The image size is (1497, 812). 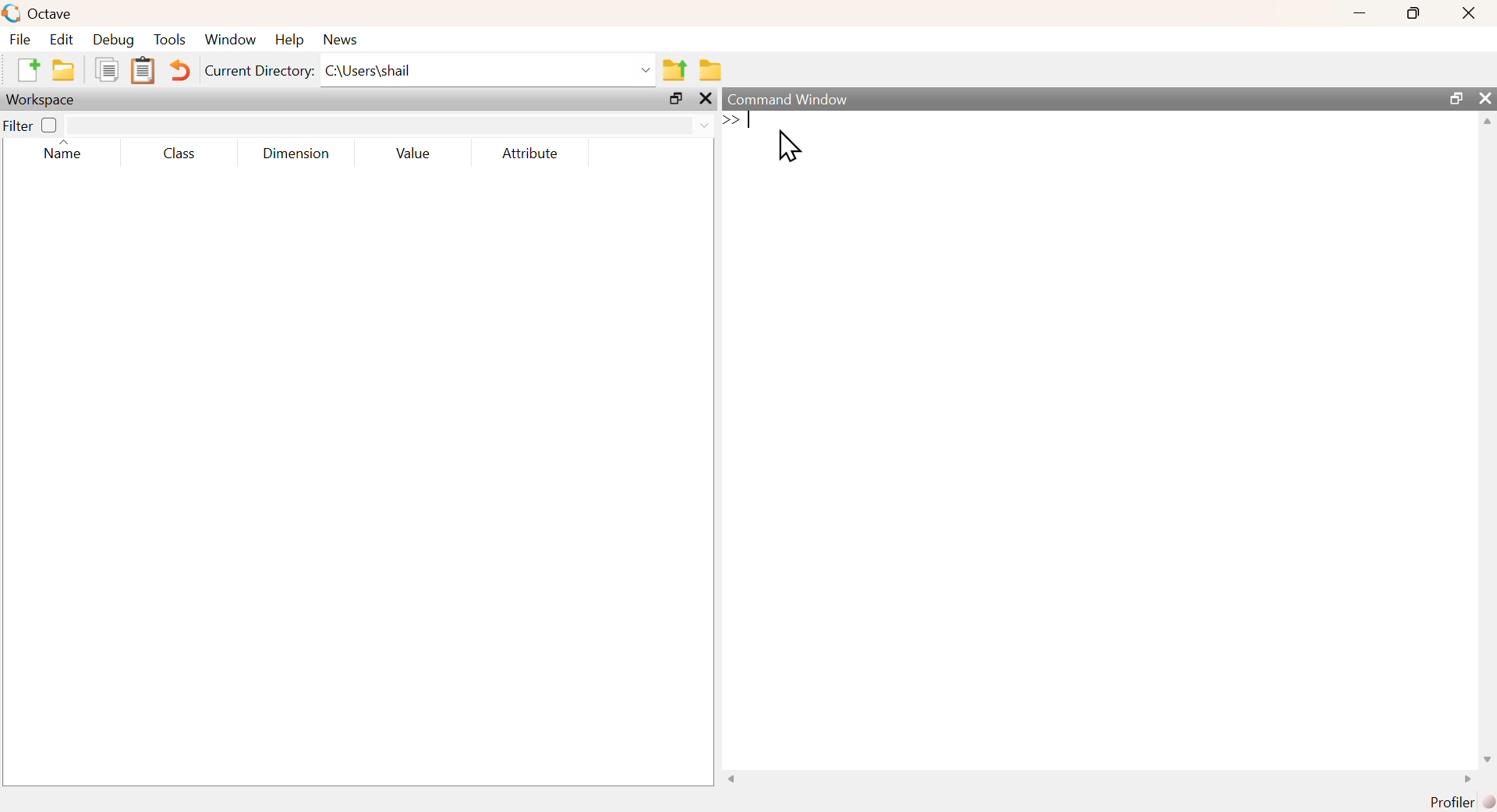 I want to click on scroll up, so click(x=1487, y=121).